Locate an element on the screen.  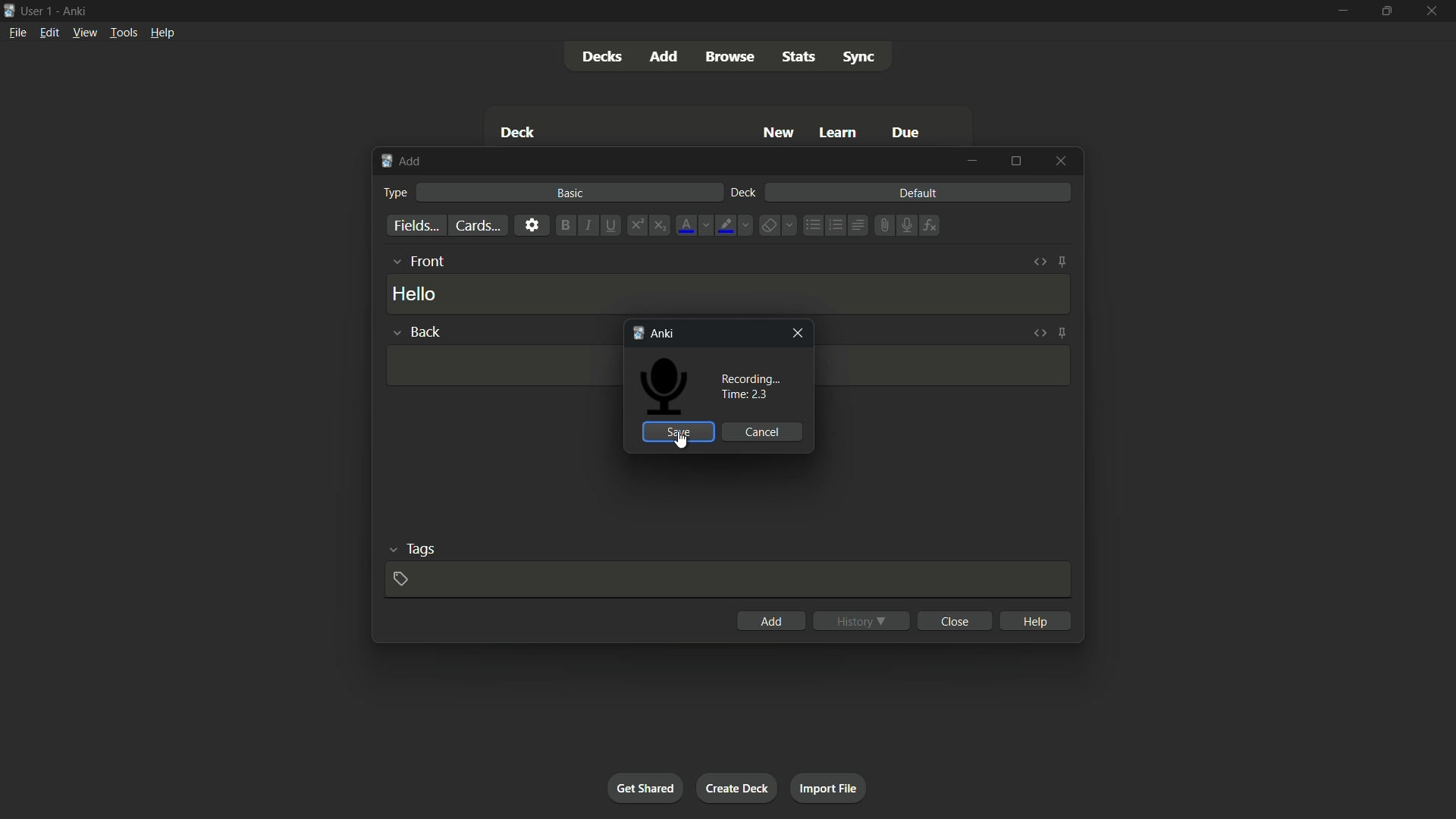
app name is located at coordinates (77, 11).